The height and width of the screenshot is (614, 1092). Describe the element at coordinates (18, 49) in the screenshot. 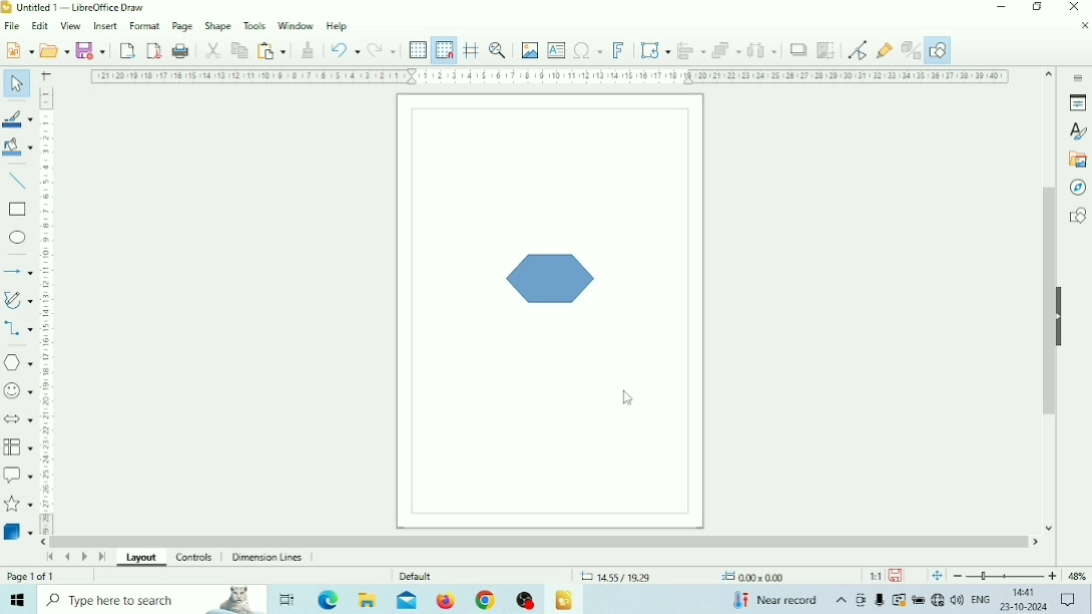

I see `New` at that location.